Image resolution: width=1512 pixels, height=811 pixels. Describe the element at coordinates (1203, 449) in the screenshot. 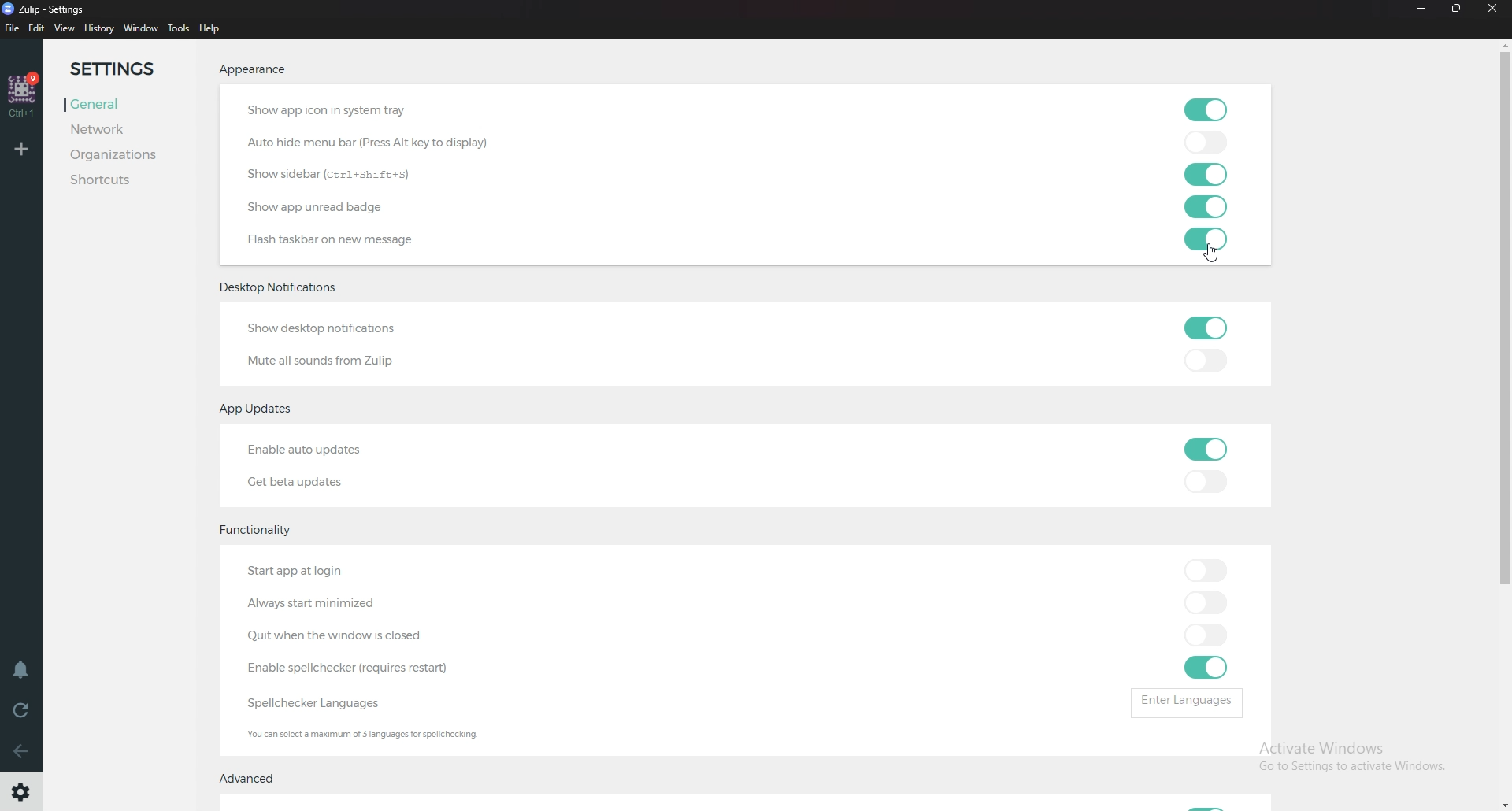

I see `toggle` at that location.